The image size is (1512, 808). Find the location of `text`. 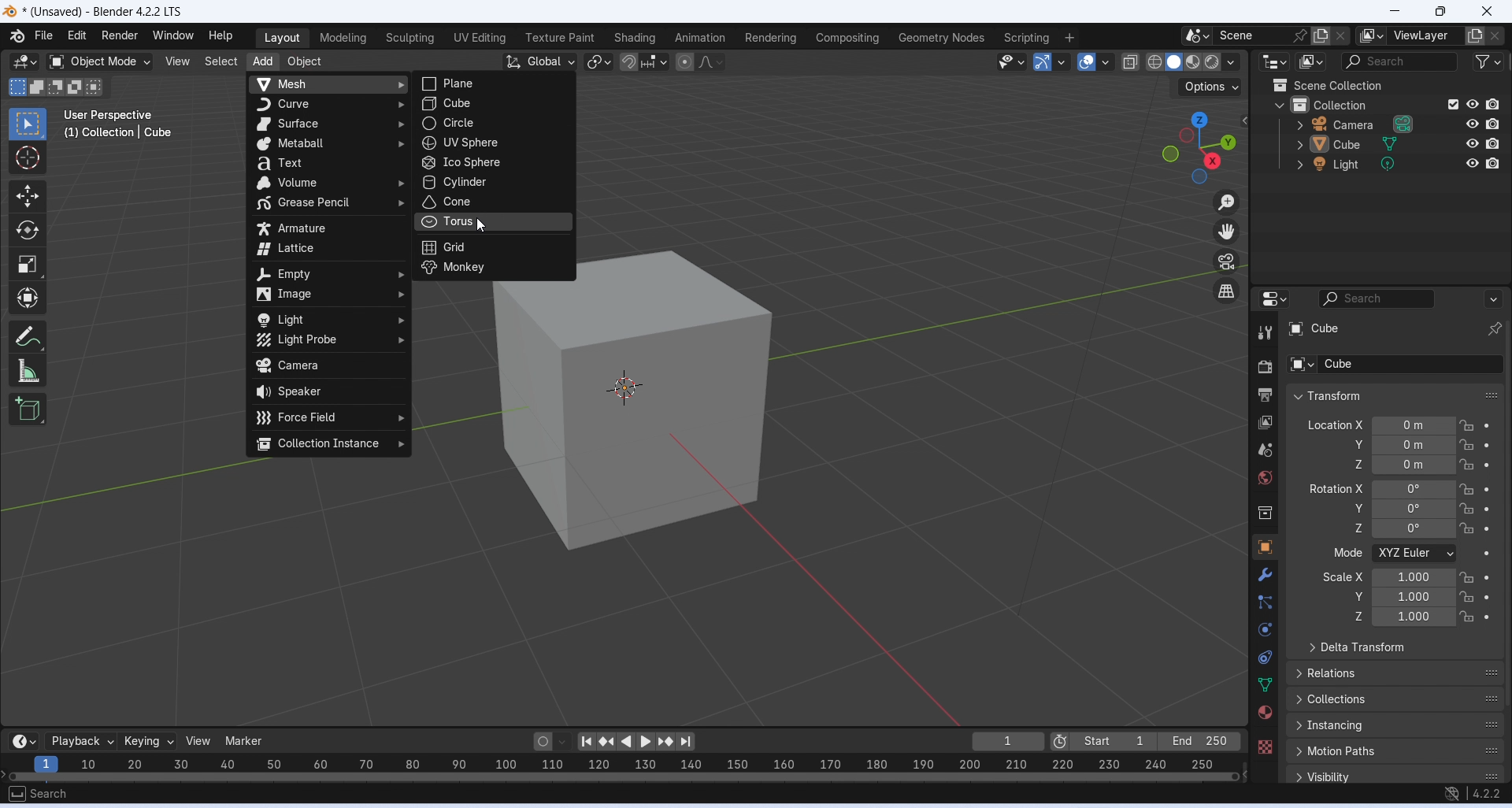

text is located at coordinates (332, 165).